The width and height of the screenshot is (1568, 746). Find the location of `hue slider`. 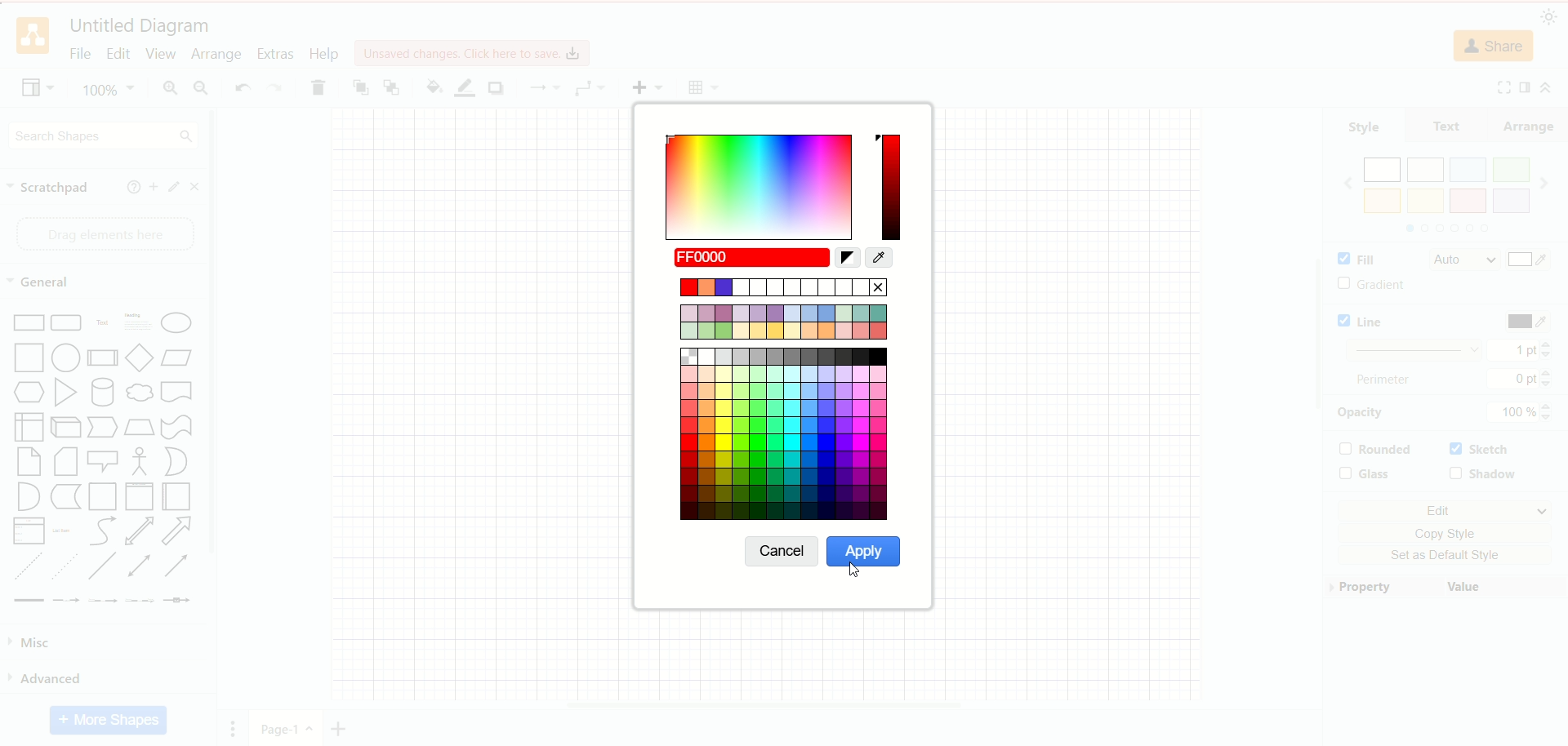

hue slider is located at coordinates (893, 185).